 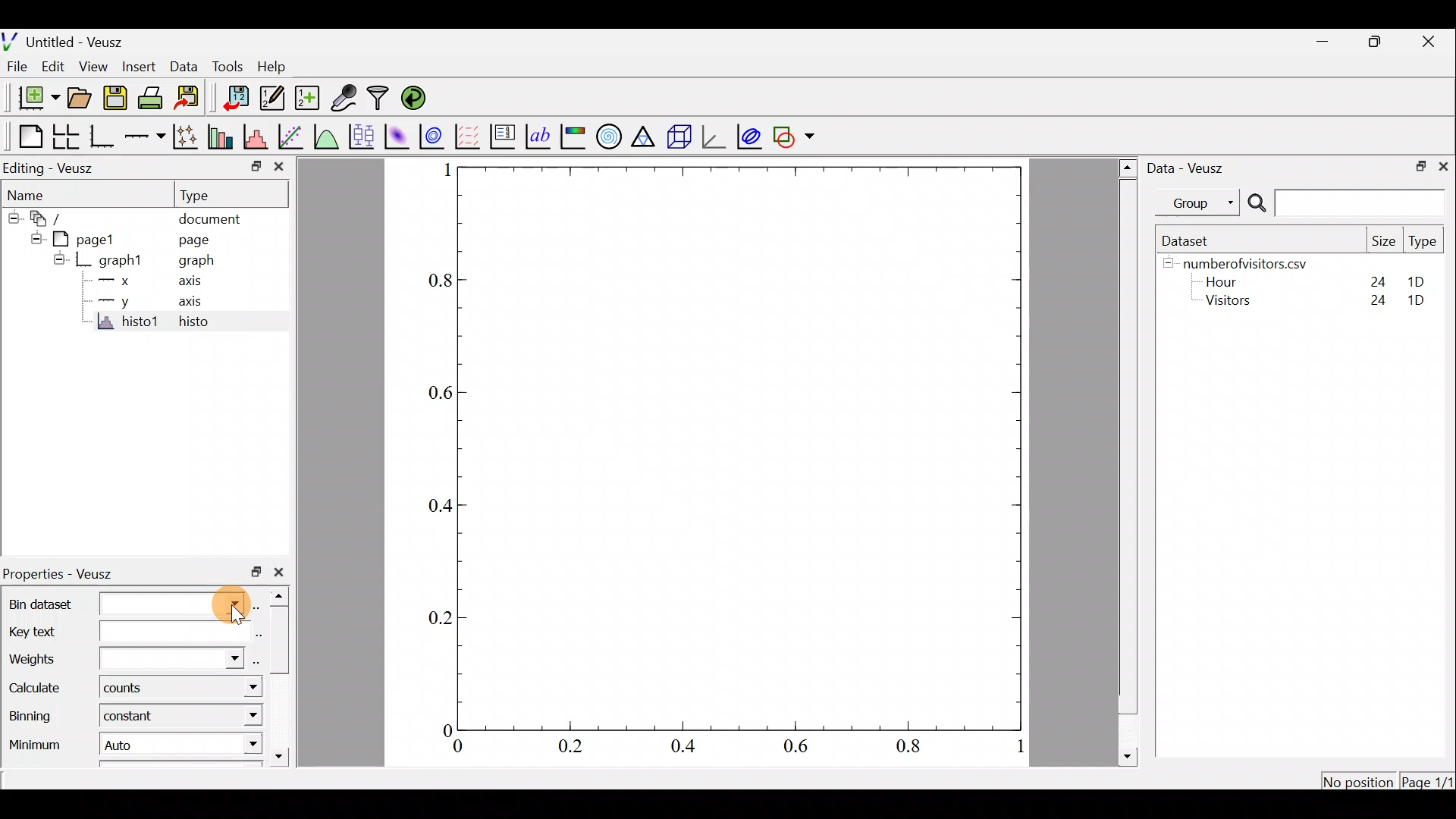 What do you see at coordinates (294, 137) in the screenshot?
I see `fit a function to data` at bounding box center [294, 137].